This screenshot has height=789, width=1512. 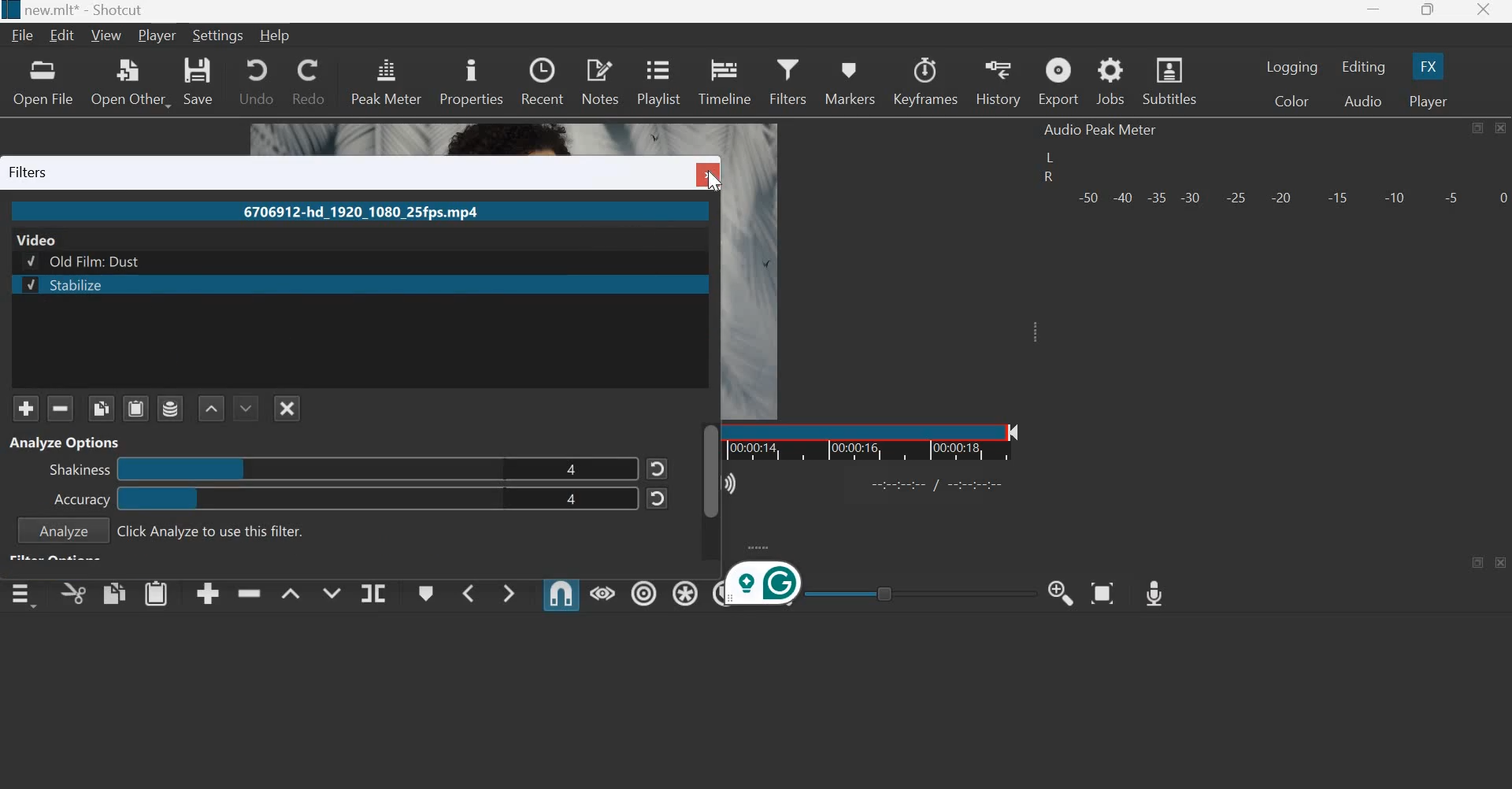 What do you see at coordinates (571, 469) in the screenshot?
I see `4` at bounding box center [571, 469].